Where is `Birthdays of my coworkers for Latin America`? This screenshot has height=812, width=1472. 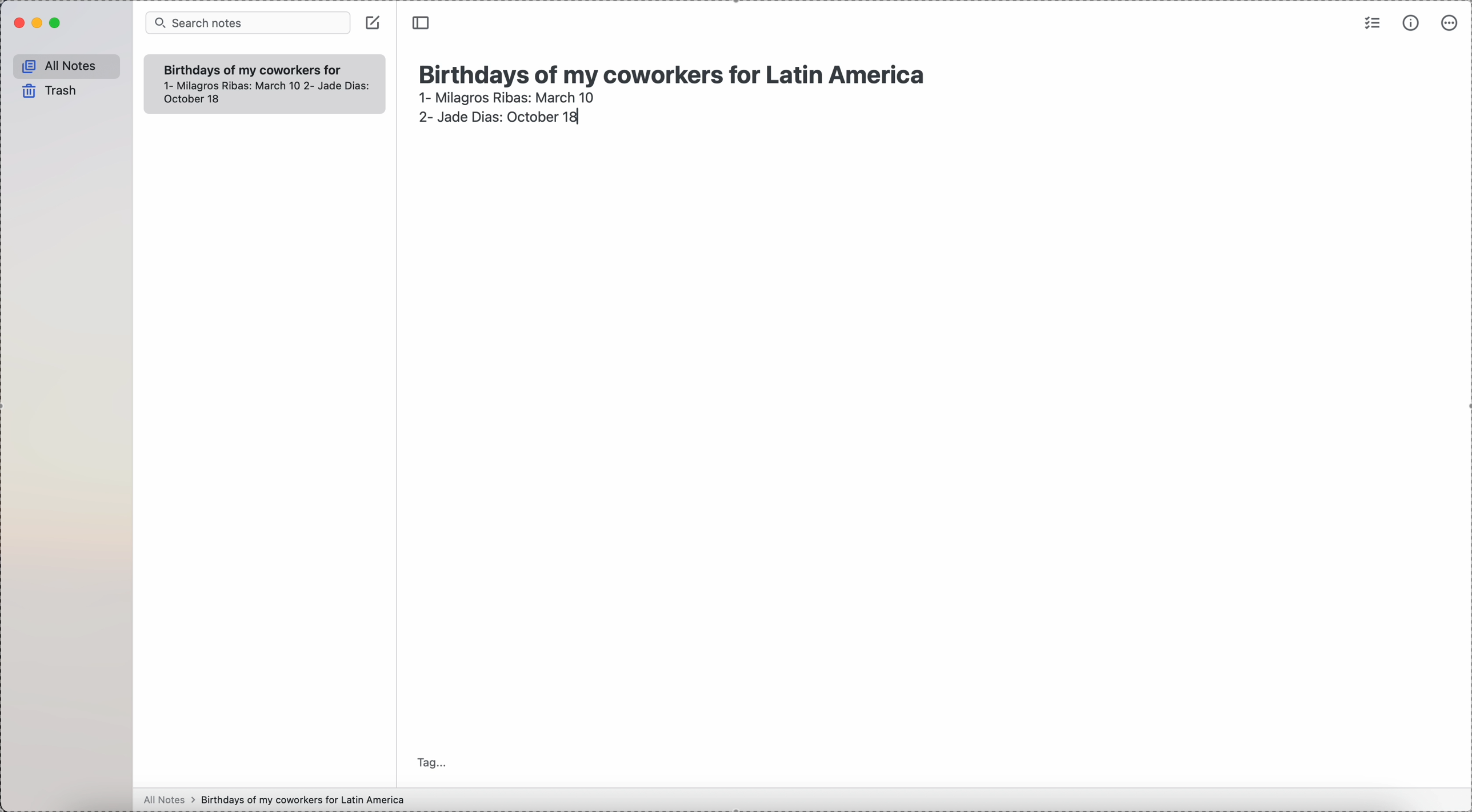
Birthdays of my coworkers for Latin America is located at coordinates (677, 72).